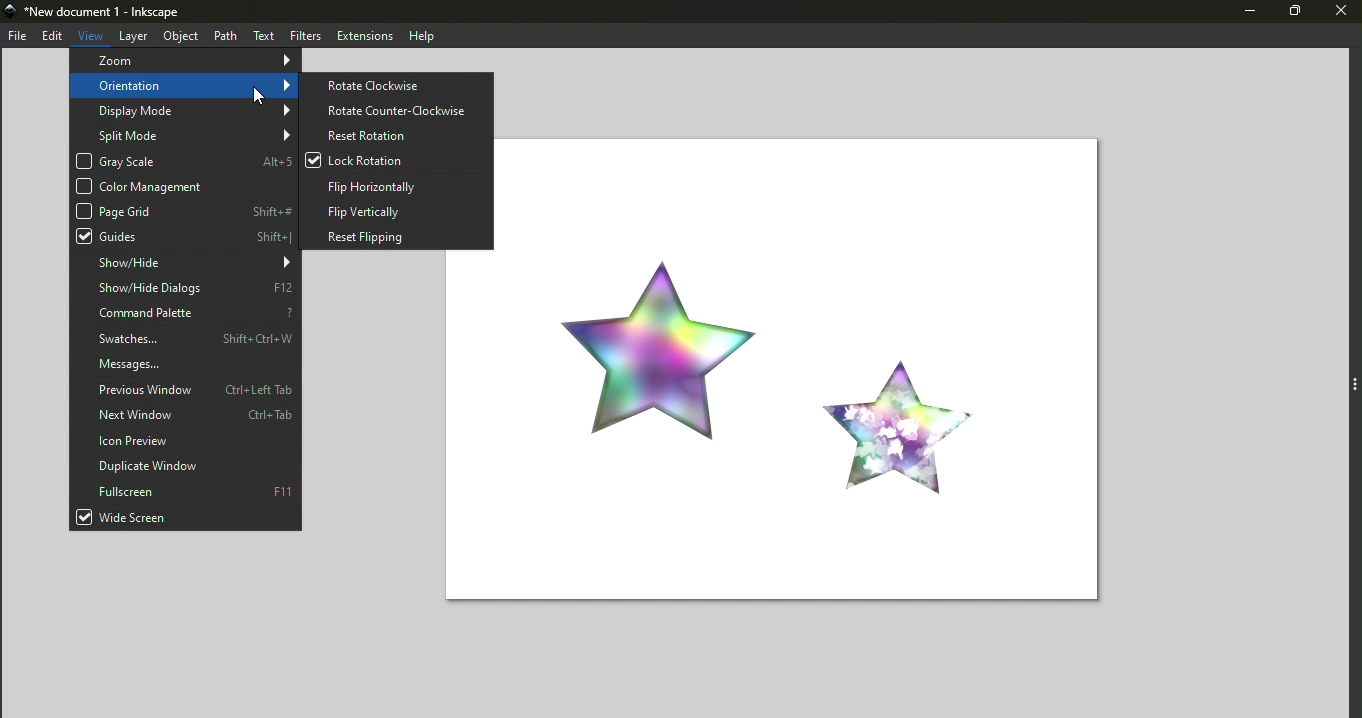  I want to click on Split Mode, so click(182, 134).